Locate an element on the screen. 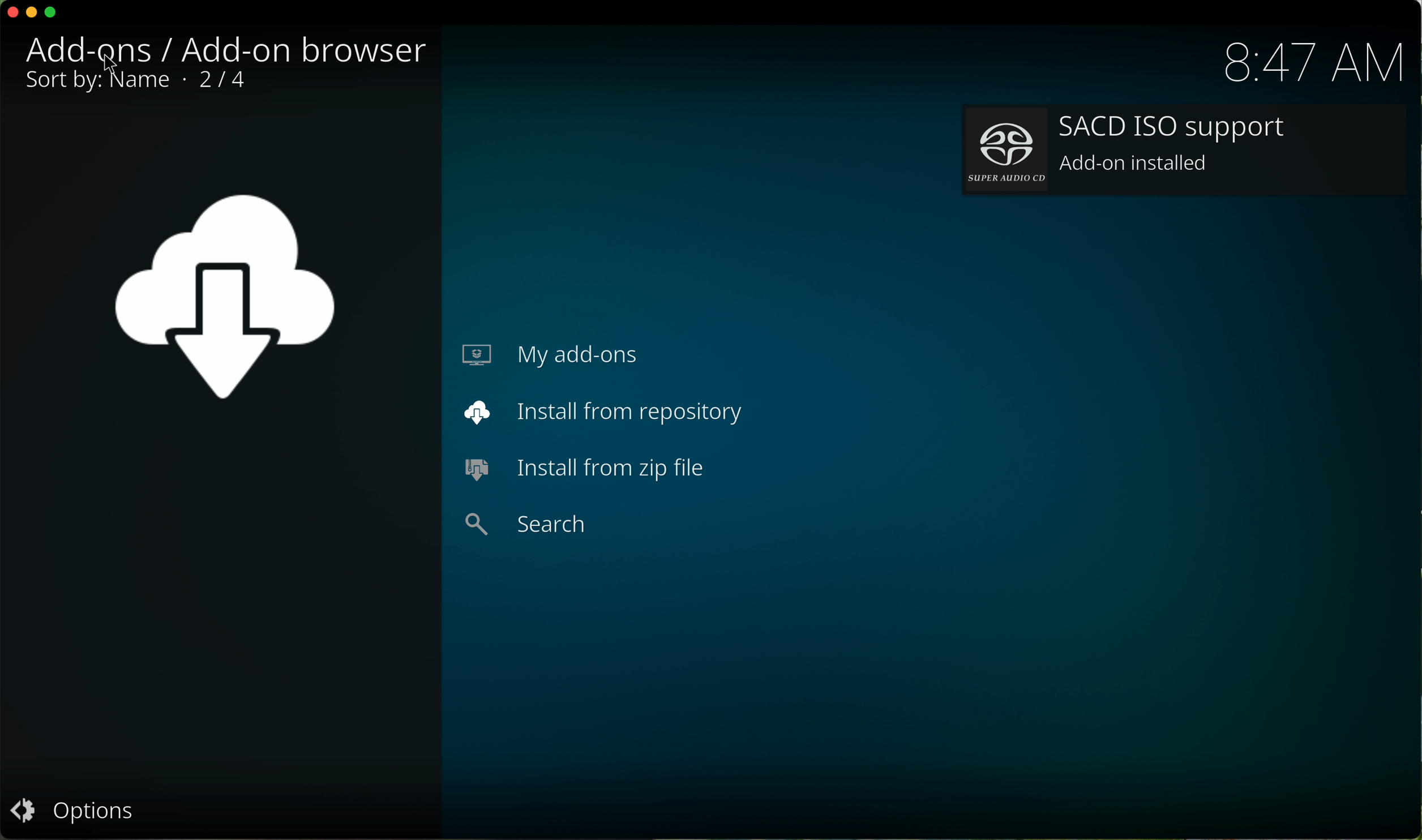 Image resolution: width=1422 pixels, height=840 pixels. close is located at coordinates (10, 12).